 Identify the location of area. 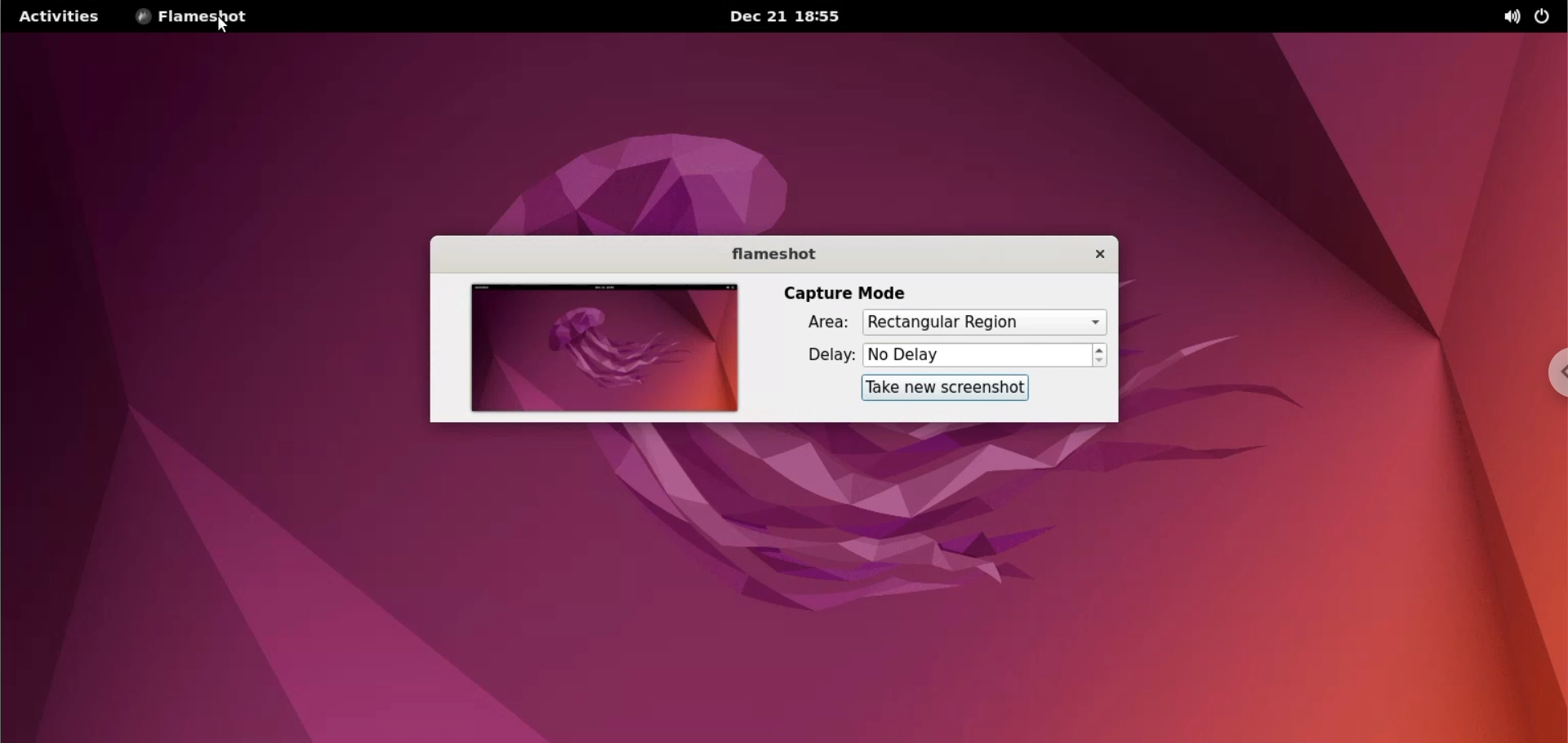
(817, 323).